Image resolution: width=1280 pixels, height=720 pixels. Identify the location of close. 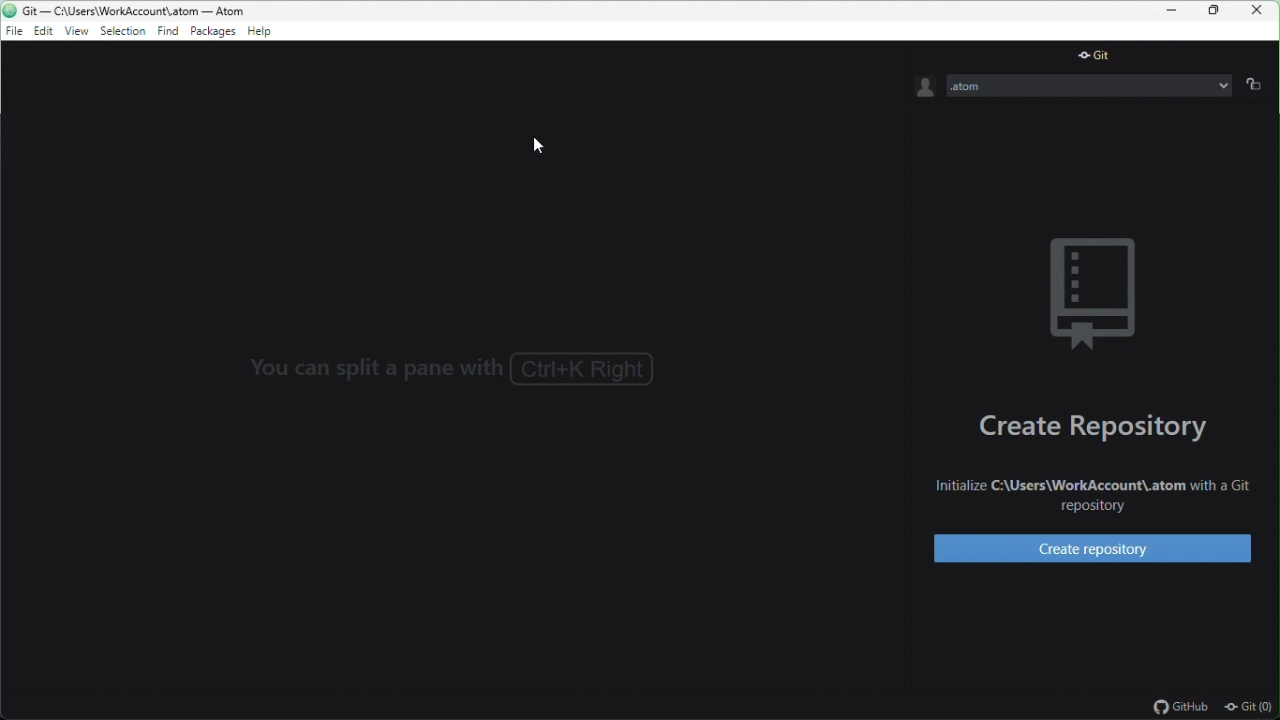
(1260, 11).